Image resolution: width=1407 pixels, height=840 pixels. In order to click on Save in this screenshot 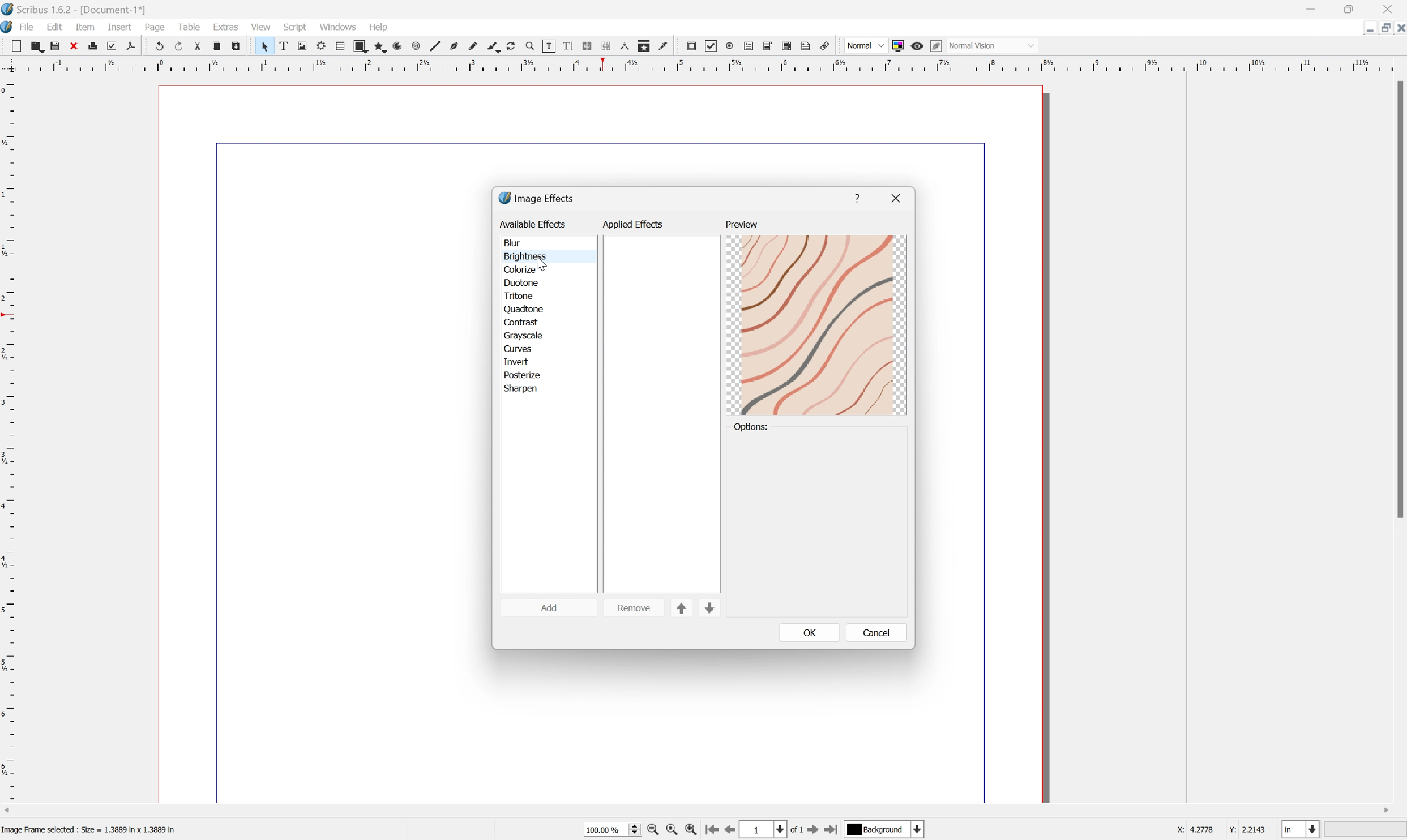, I will do `click(56, 45)`.